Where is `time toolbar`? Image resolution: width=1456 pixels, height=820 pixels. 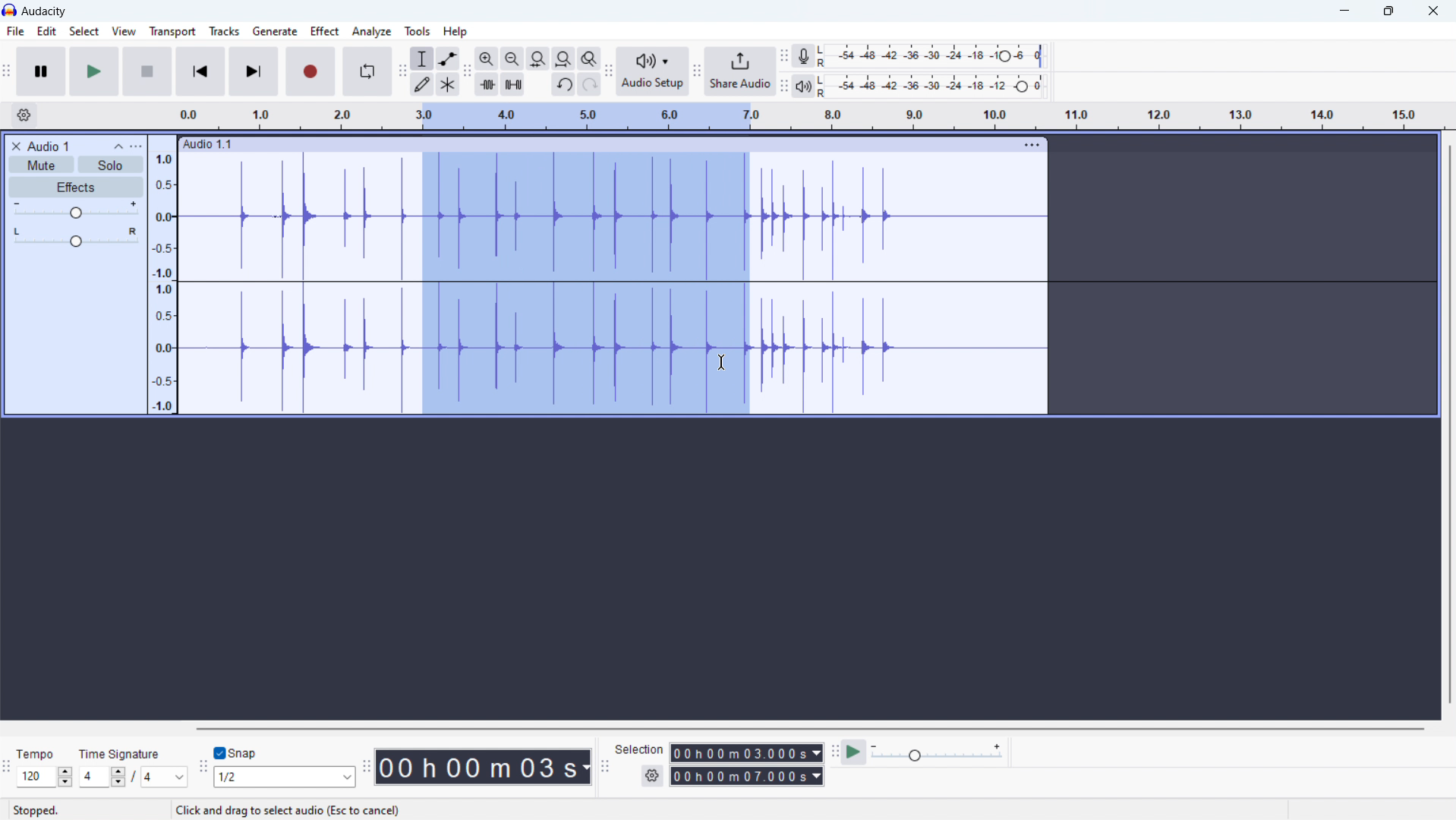 time toolbar is located at coordinates (367, 768).